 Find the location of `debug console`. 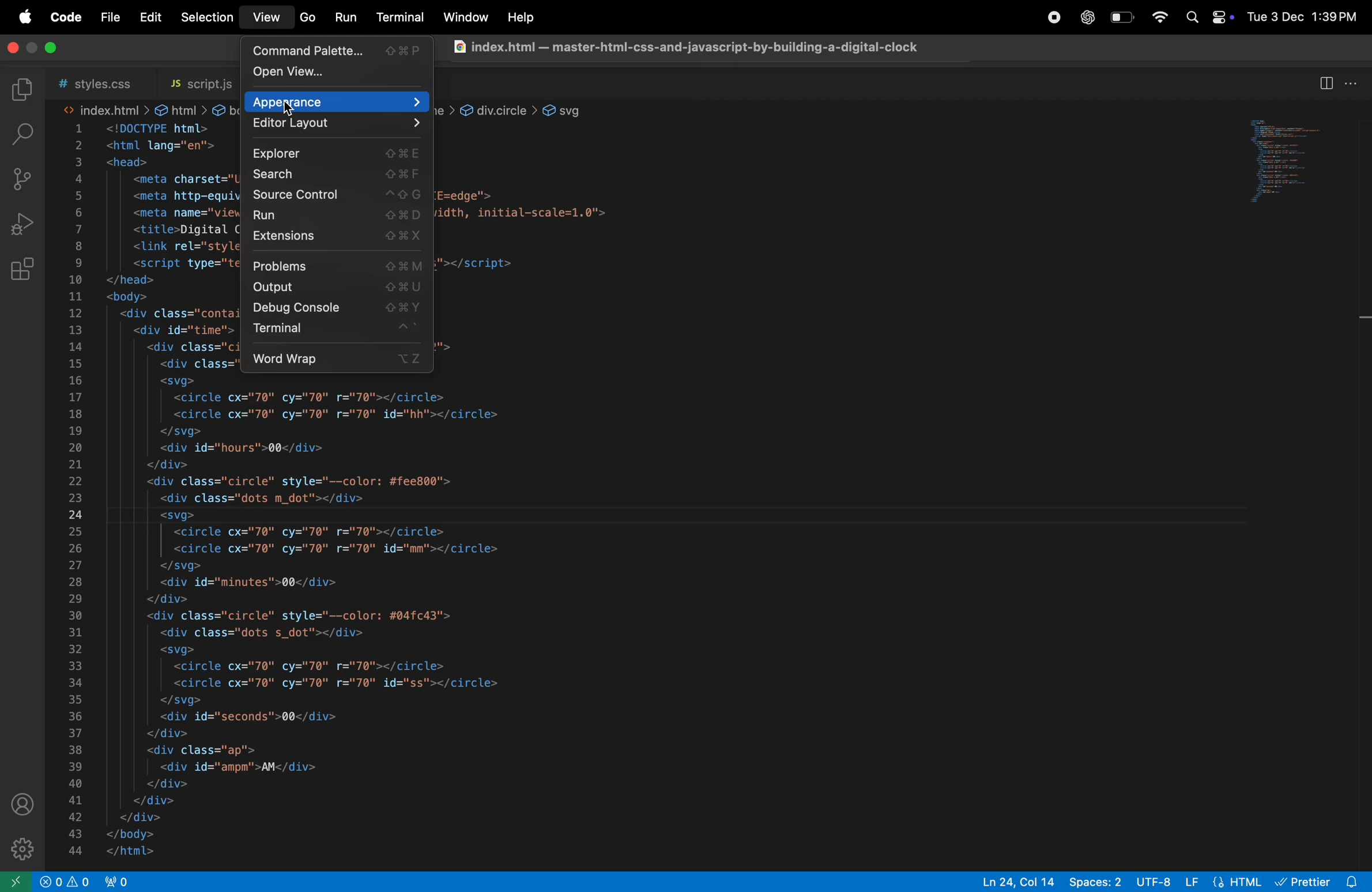

debug console is located at coordinates (335, 309).